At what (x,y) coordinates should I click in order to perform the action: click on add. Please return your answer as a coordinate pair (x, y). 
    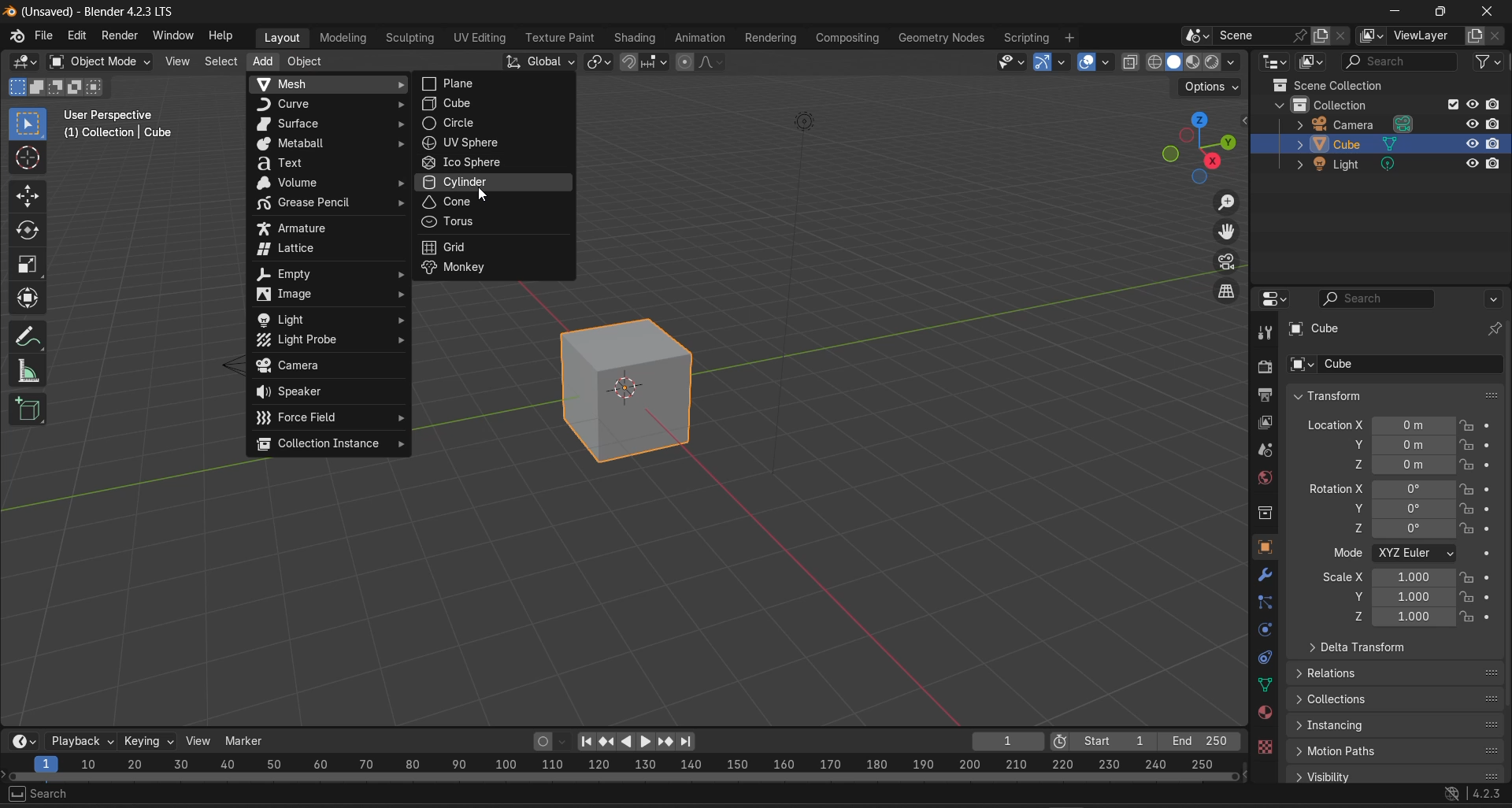
    Looking at the image, I should click on (261, 61).